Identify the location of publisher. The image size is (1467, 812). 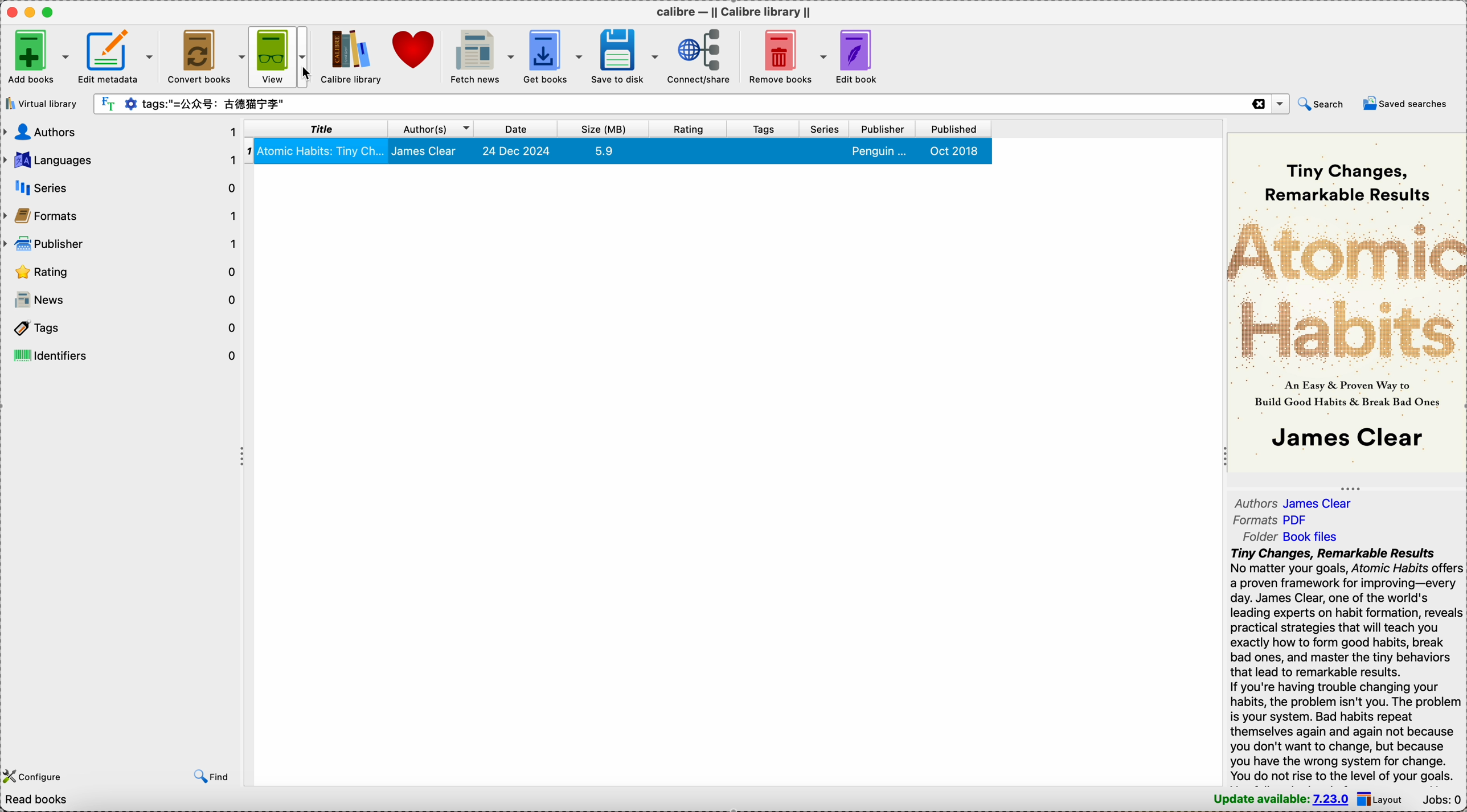
(122, 242).